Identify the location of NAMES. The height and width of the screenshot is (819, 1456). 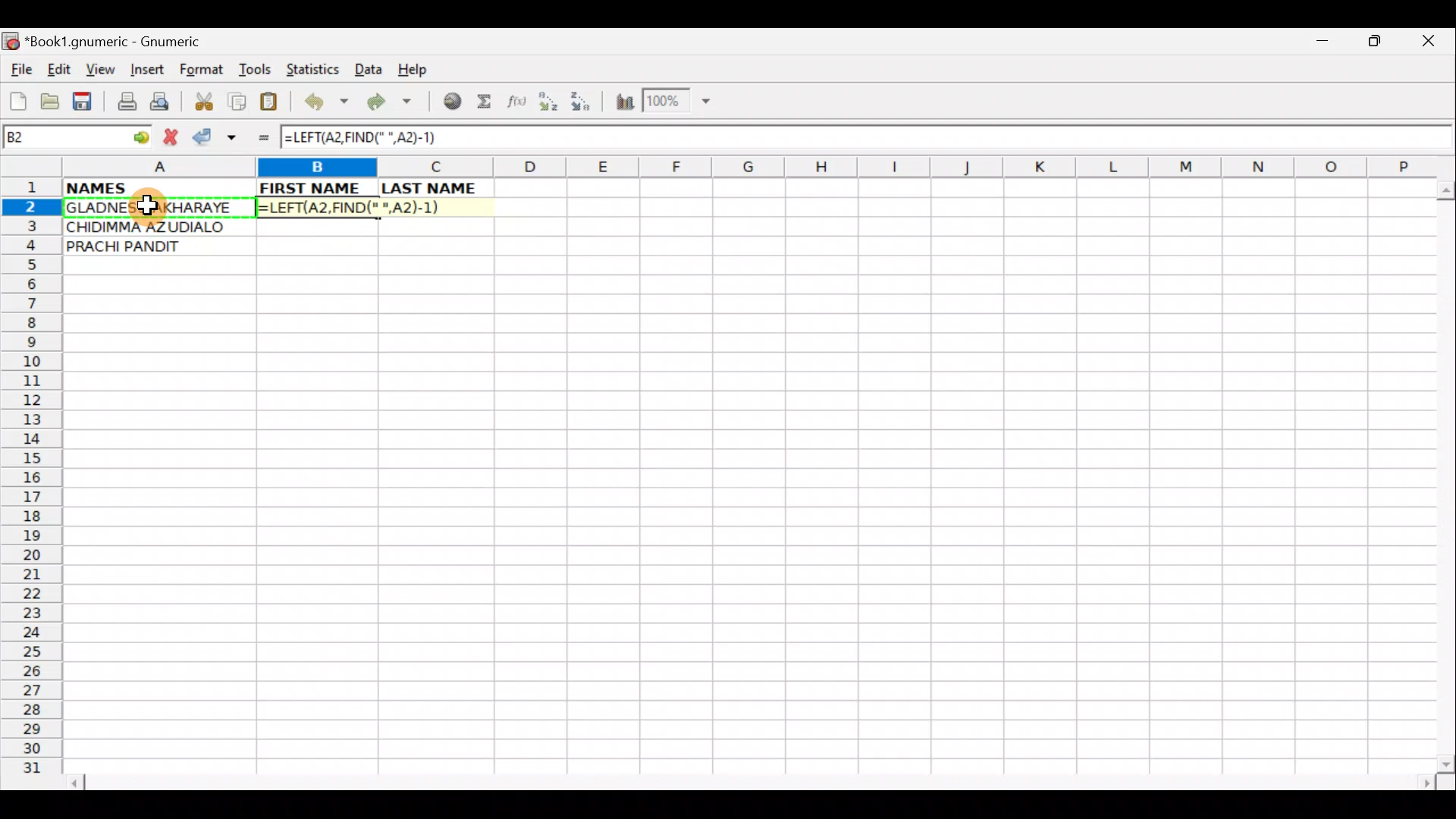
(158, 189).